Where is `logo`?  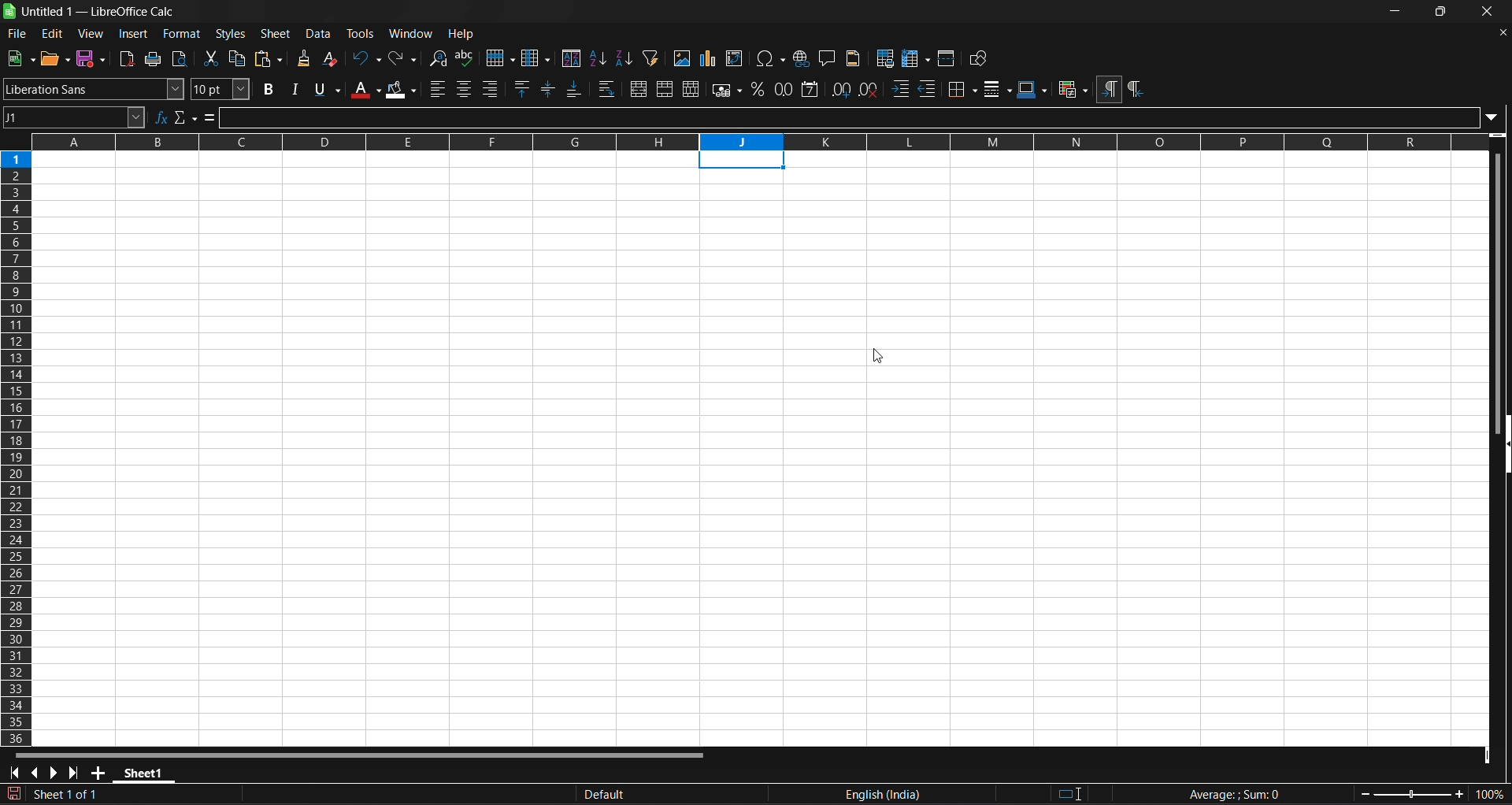 logo is located at coordinates (10, 11).